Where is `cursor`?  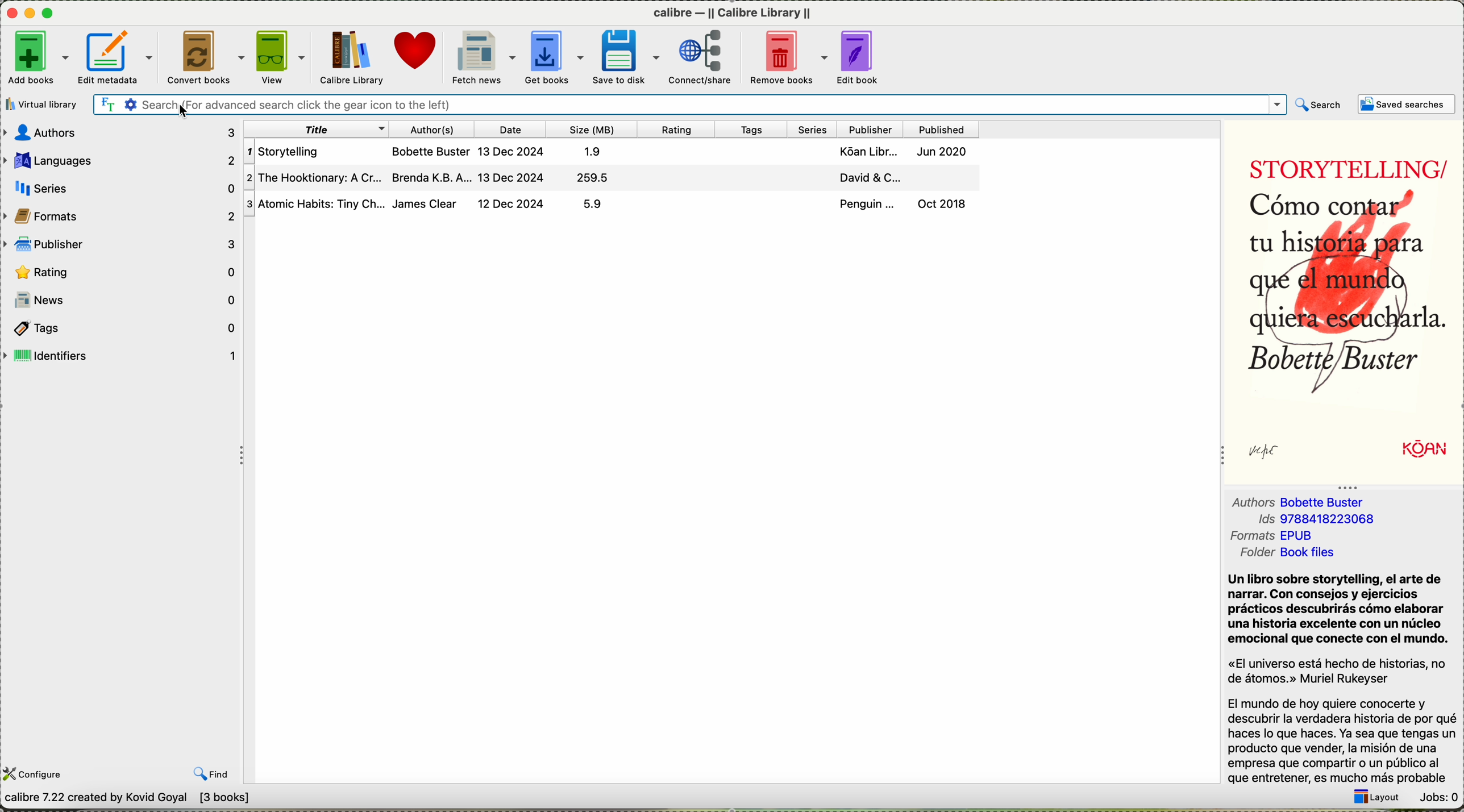
cursor is located at coordinates (185, 110).